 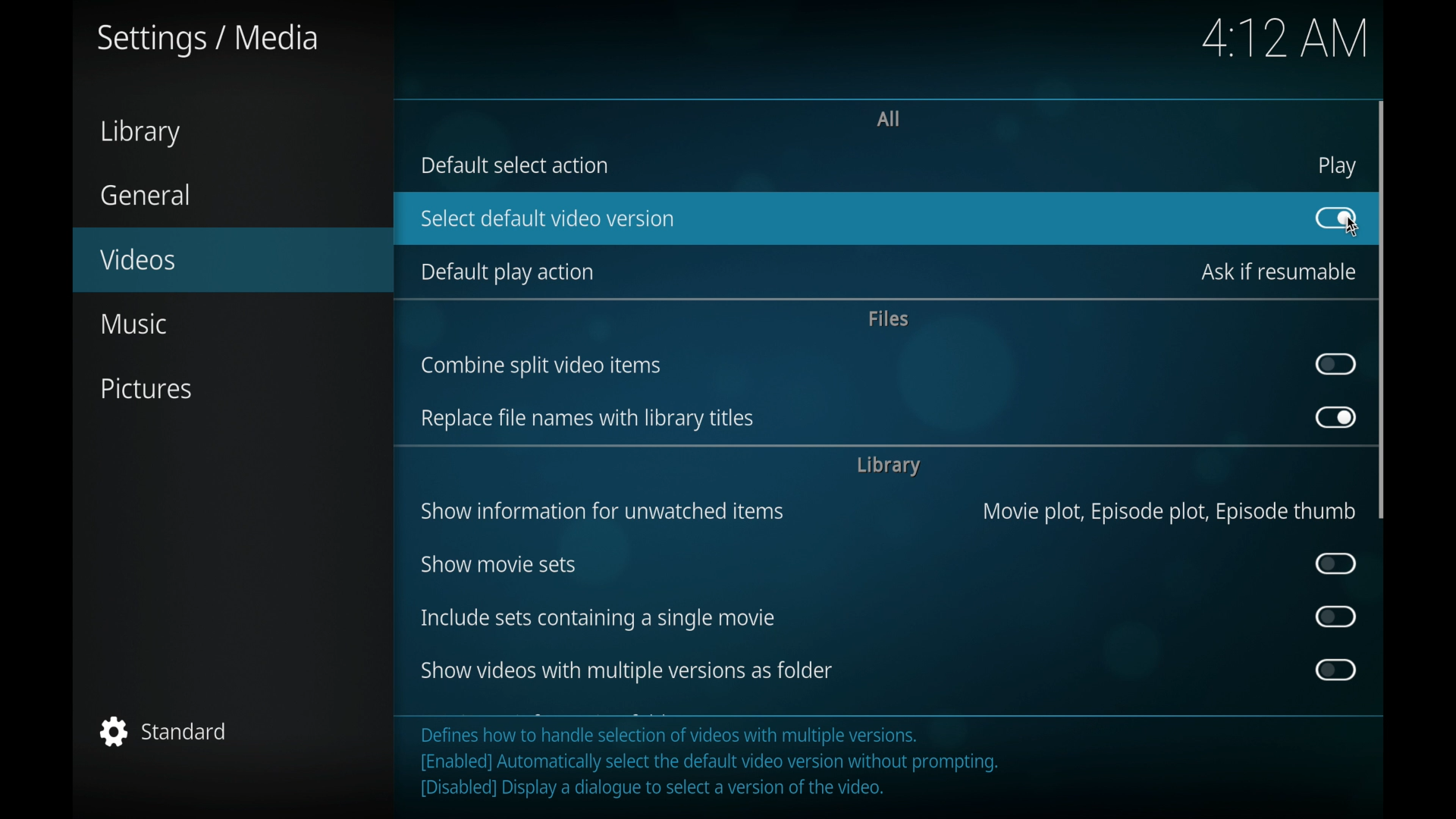 I want to click on replace file names with library titles, so click(x=588, y=419).